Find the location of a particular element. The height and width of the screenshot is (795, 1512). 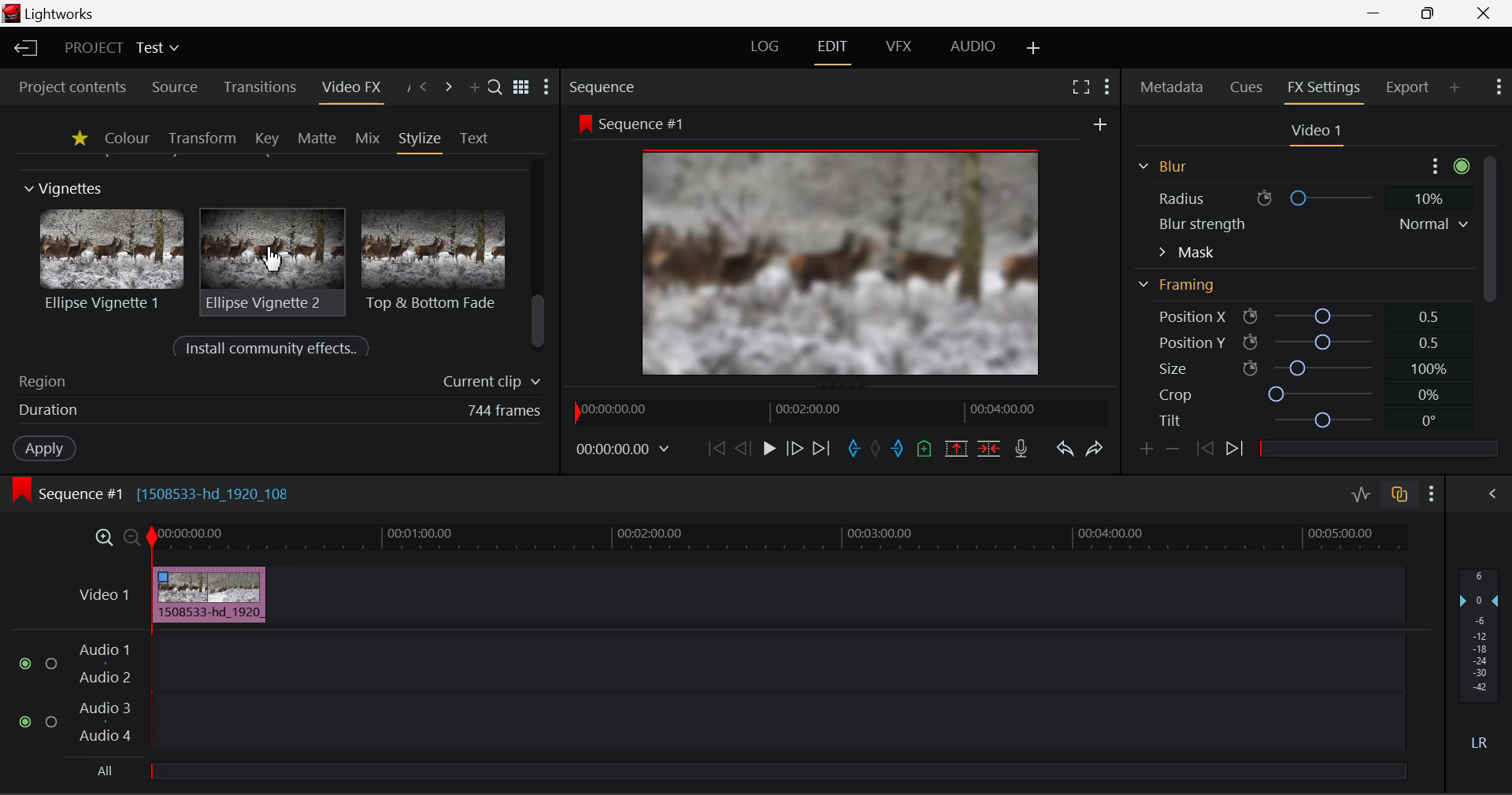

Crop is located at coordinates (1298, 395).